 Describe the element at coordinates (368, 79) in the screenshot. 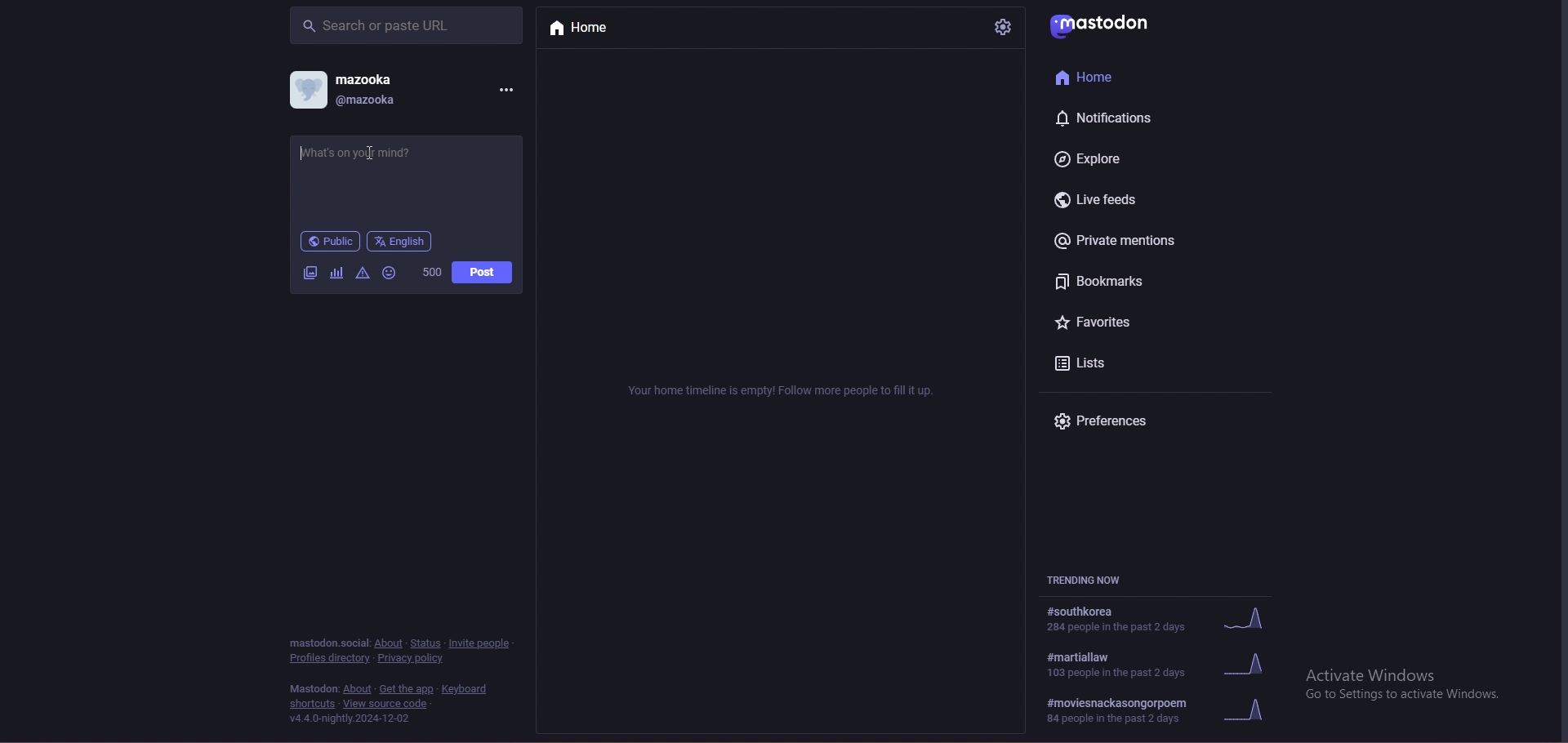

I see `mazooka` at that location.